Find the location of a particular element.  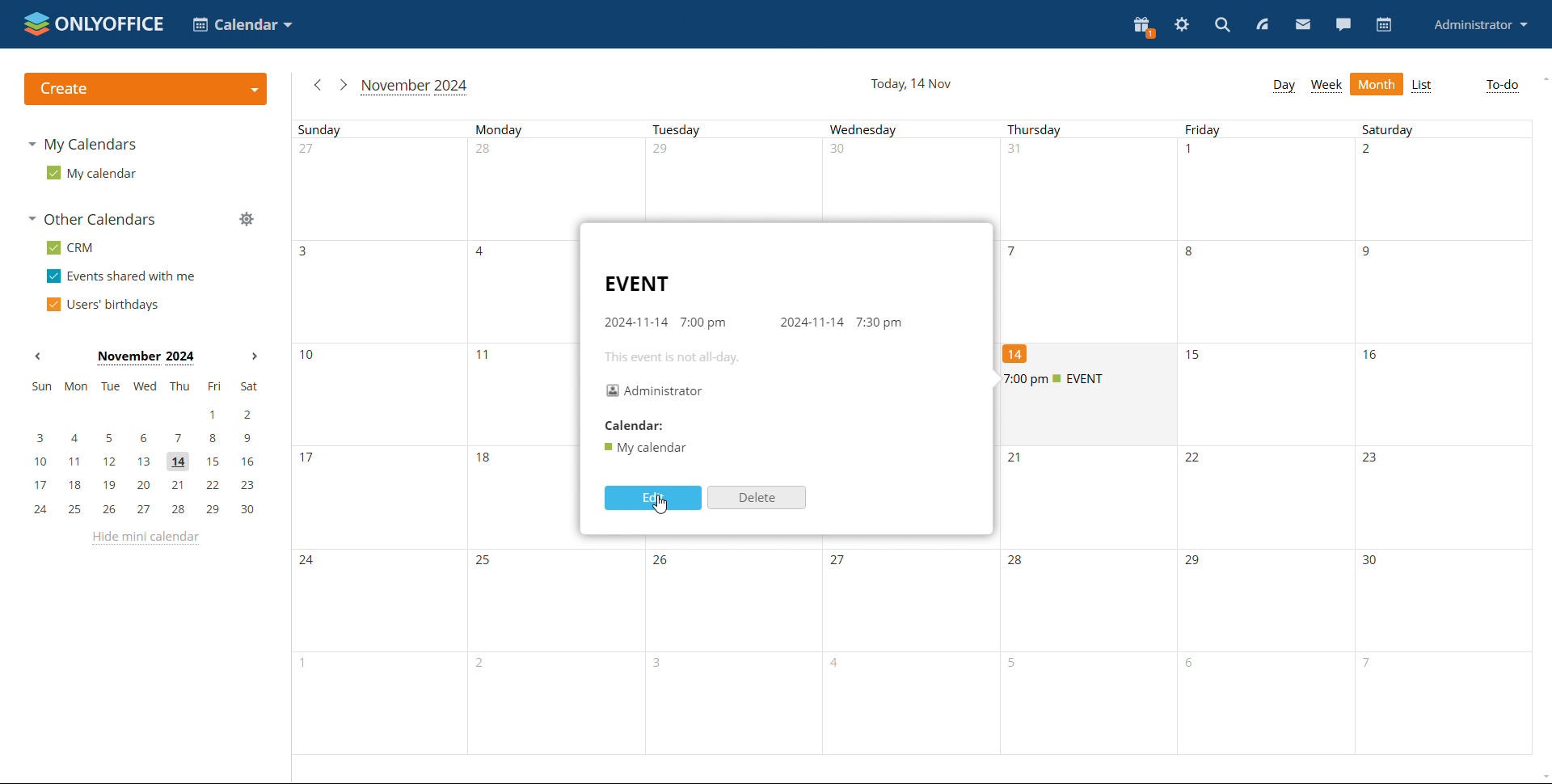

previous month is located at coordinates (317, 84).